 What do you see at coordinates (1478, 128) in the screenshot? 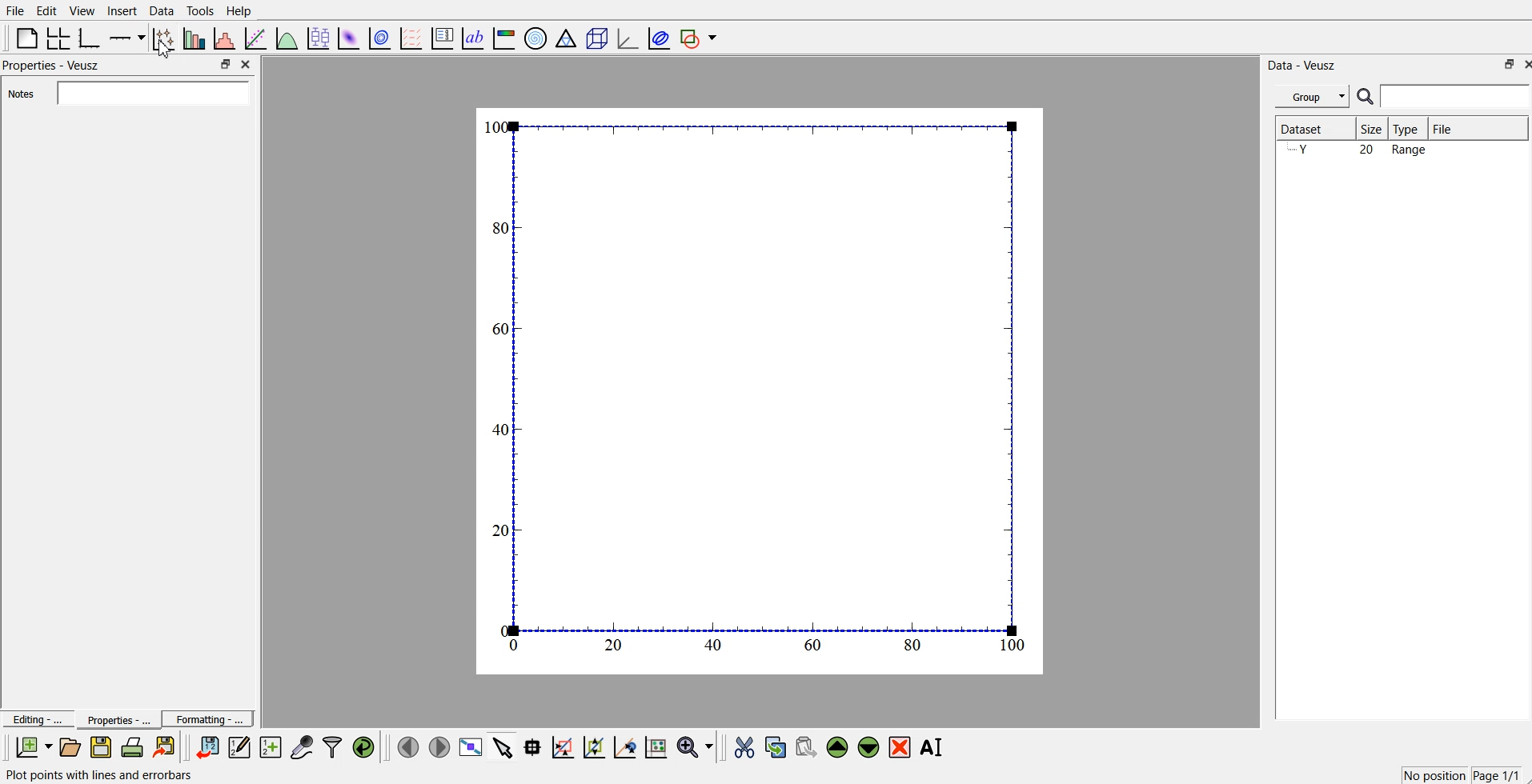
I see `File` at bounding box center [1478, 128].